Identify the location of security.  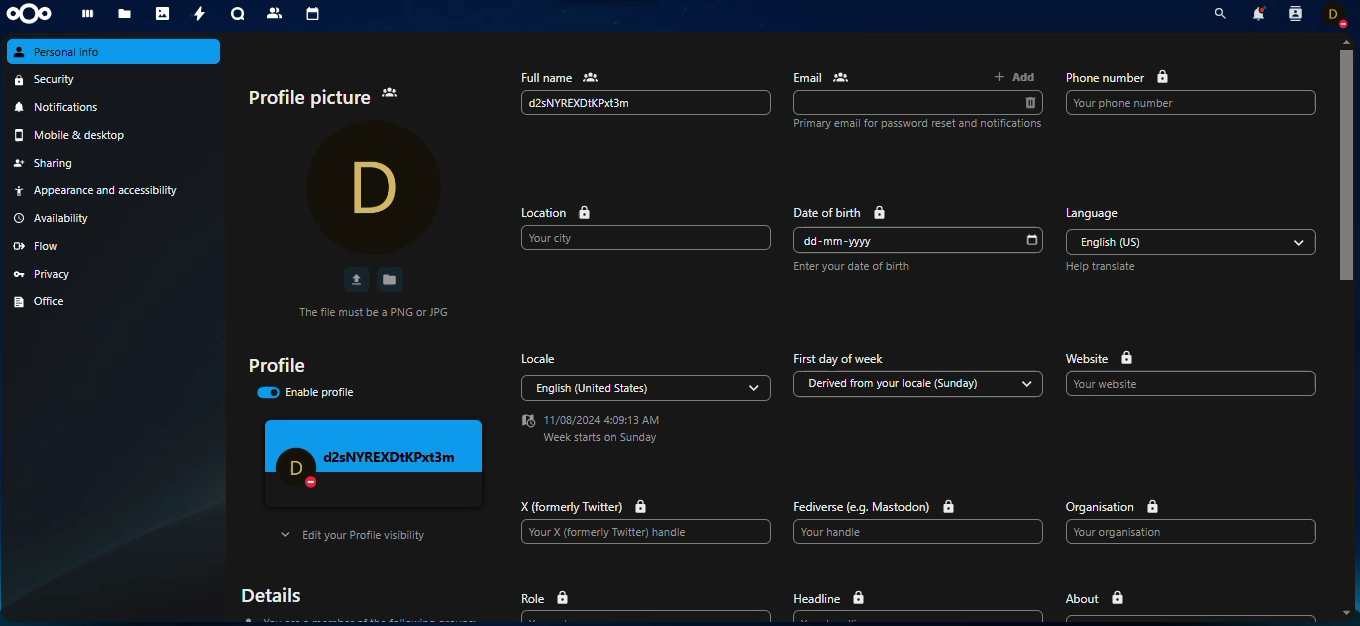
(114, 80).